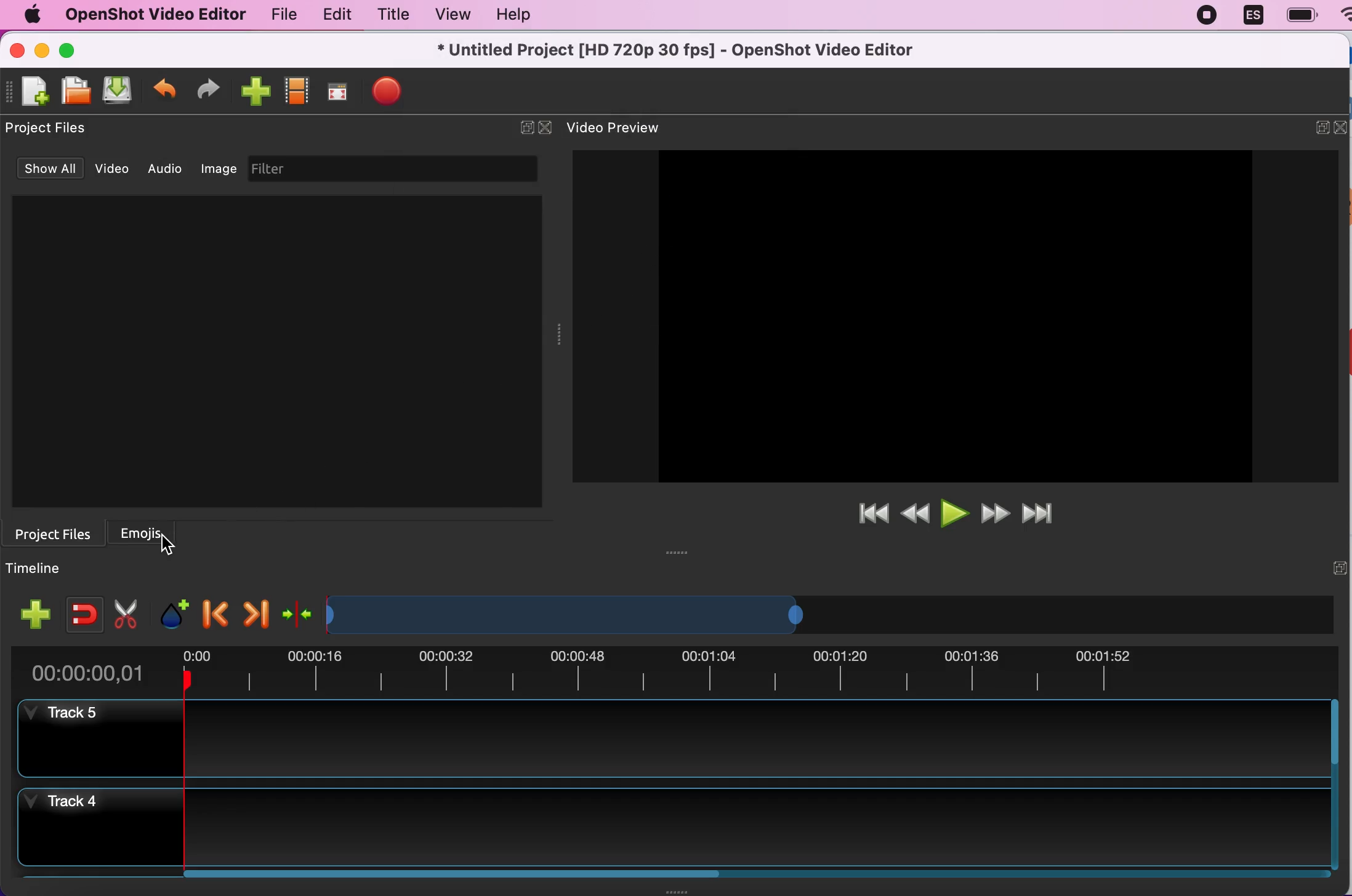 Image resolution: width=1352 pixels, height=896 pixels. Describe the element at coordinates (54, 534) in the screenshot. I see `Section for project files` at that location.